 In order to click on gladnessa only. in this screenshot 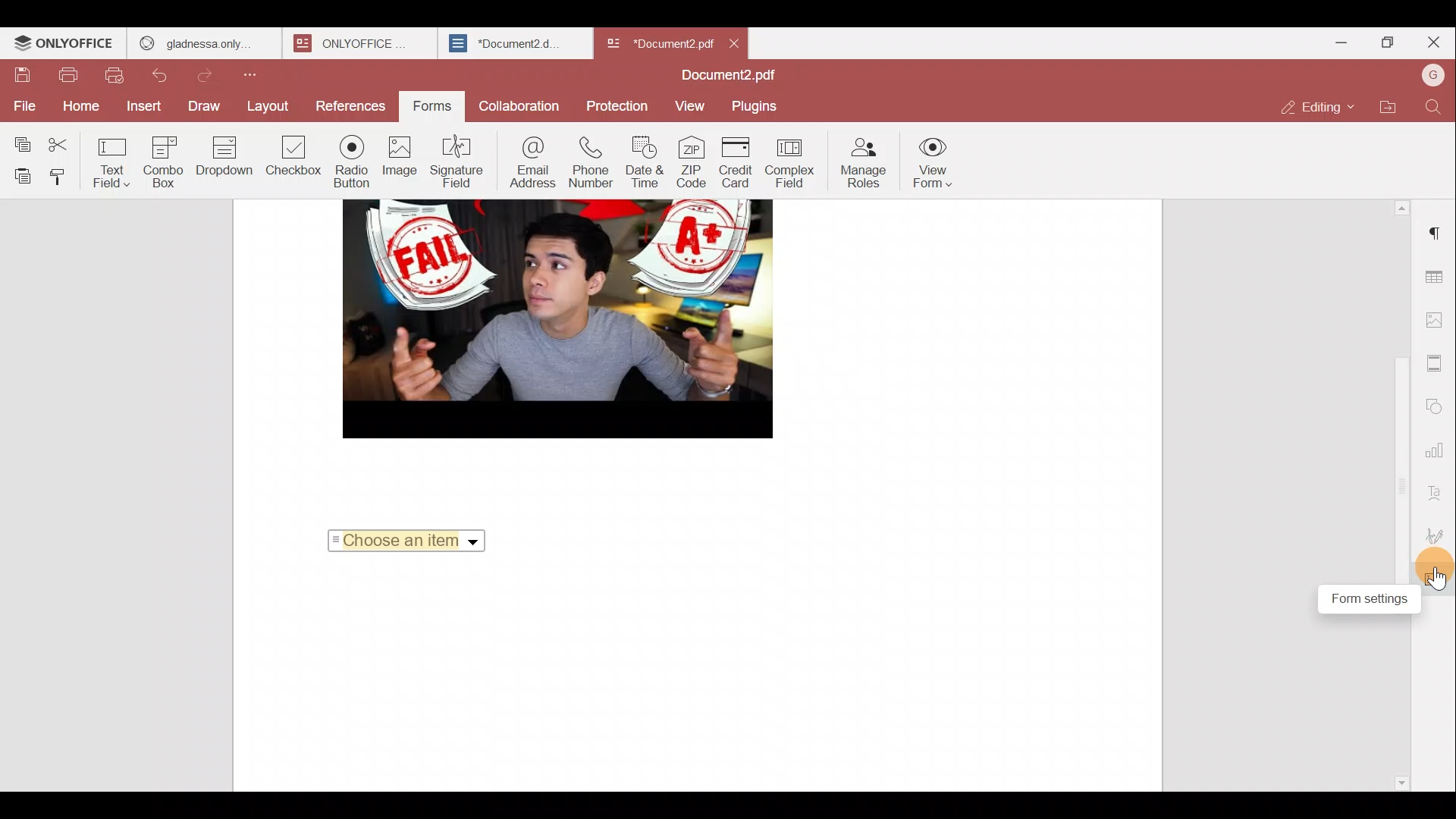, I will do `click(196, 41)`.